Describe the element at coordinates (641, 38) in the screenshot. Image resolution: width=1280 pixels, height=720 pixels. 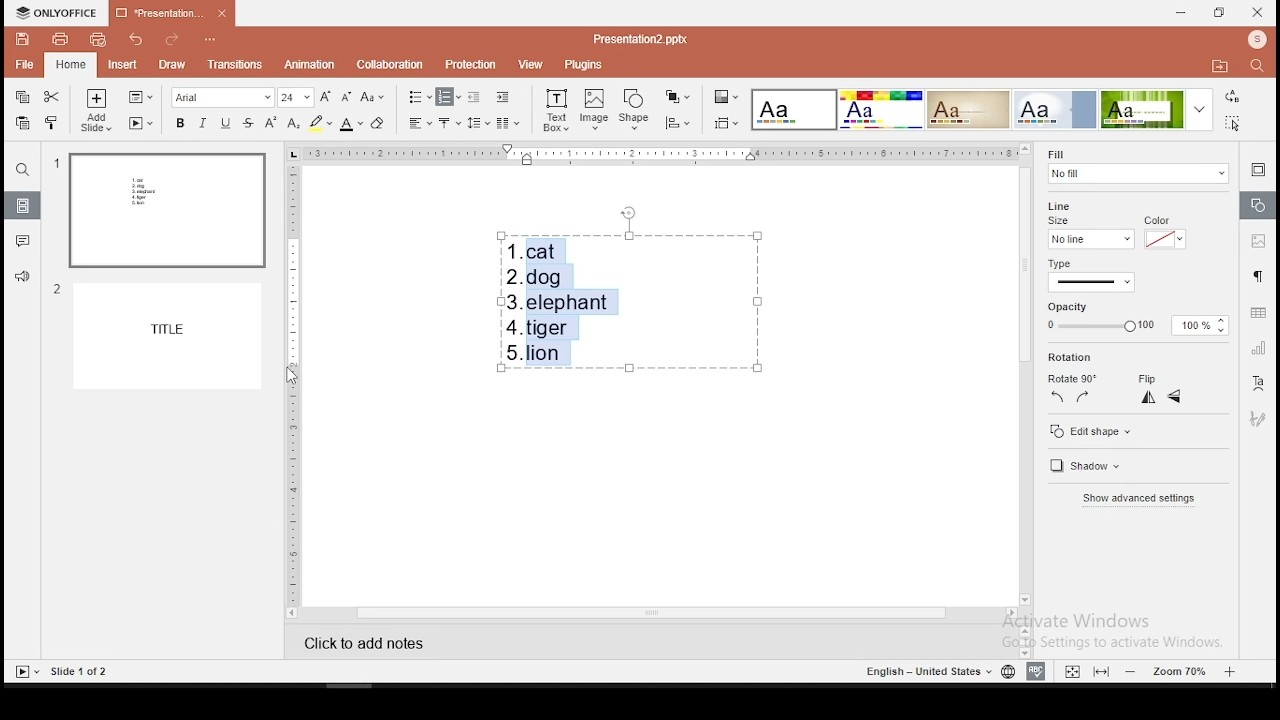
I see `presentation2.pptx` at that location.